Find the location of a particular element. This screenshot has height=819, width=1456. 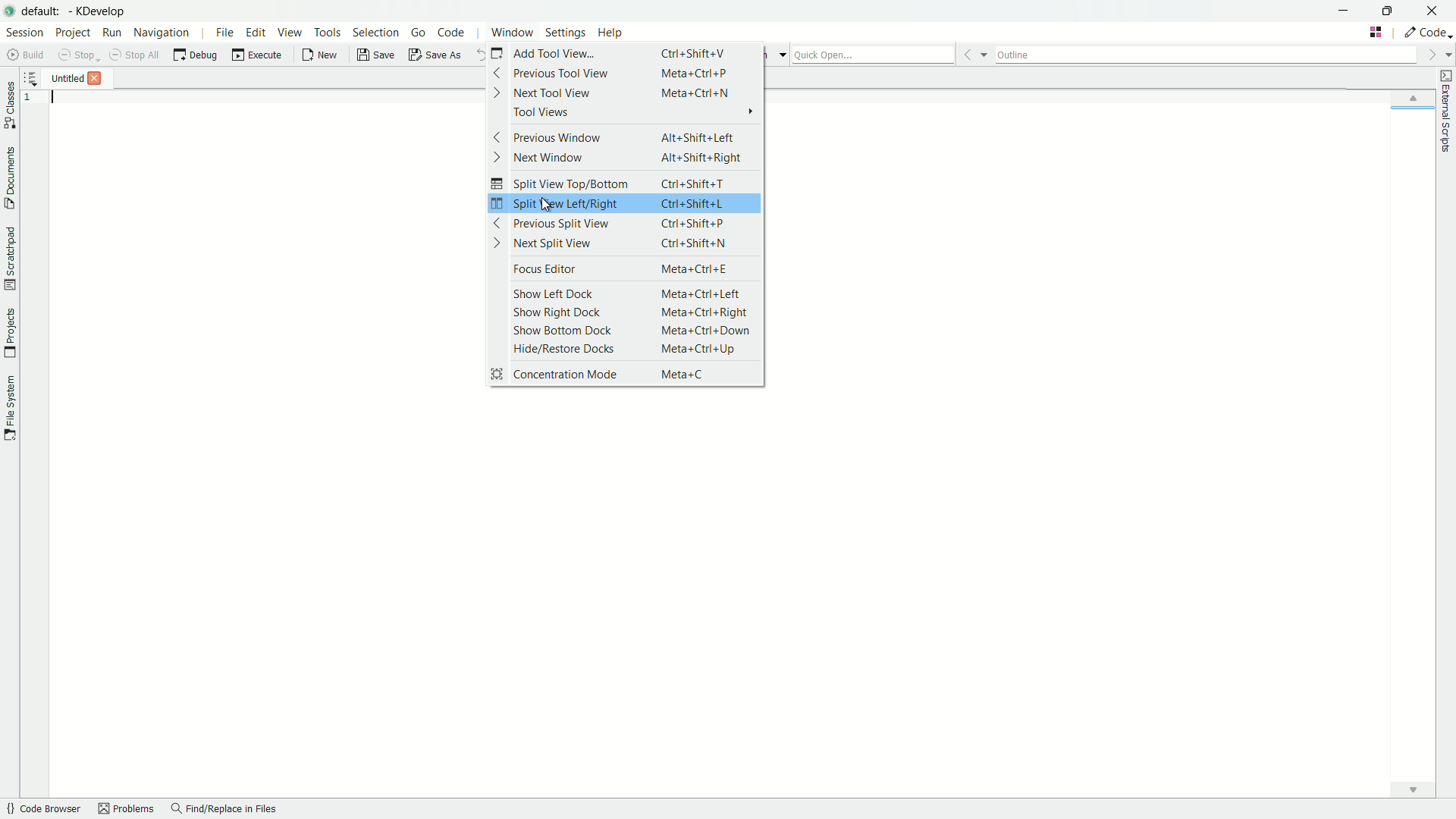

show bottom dock is located at coordinates (570, 331).